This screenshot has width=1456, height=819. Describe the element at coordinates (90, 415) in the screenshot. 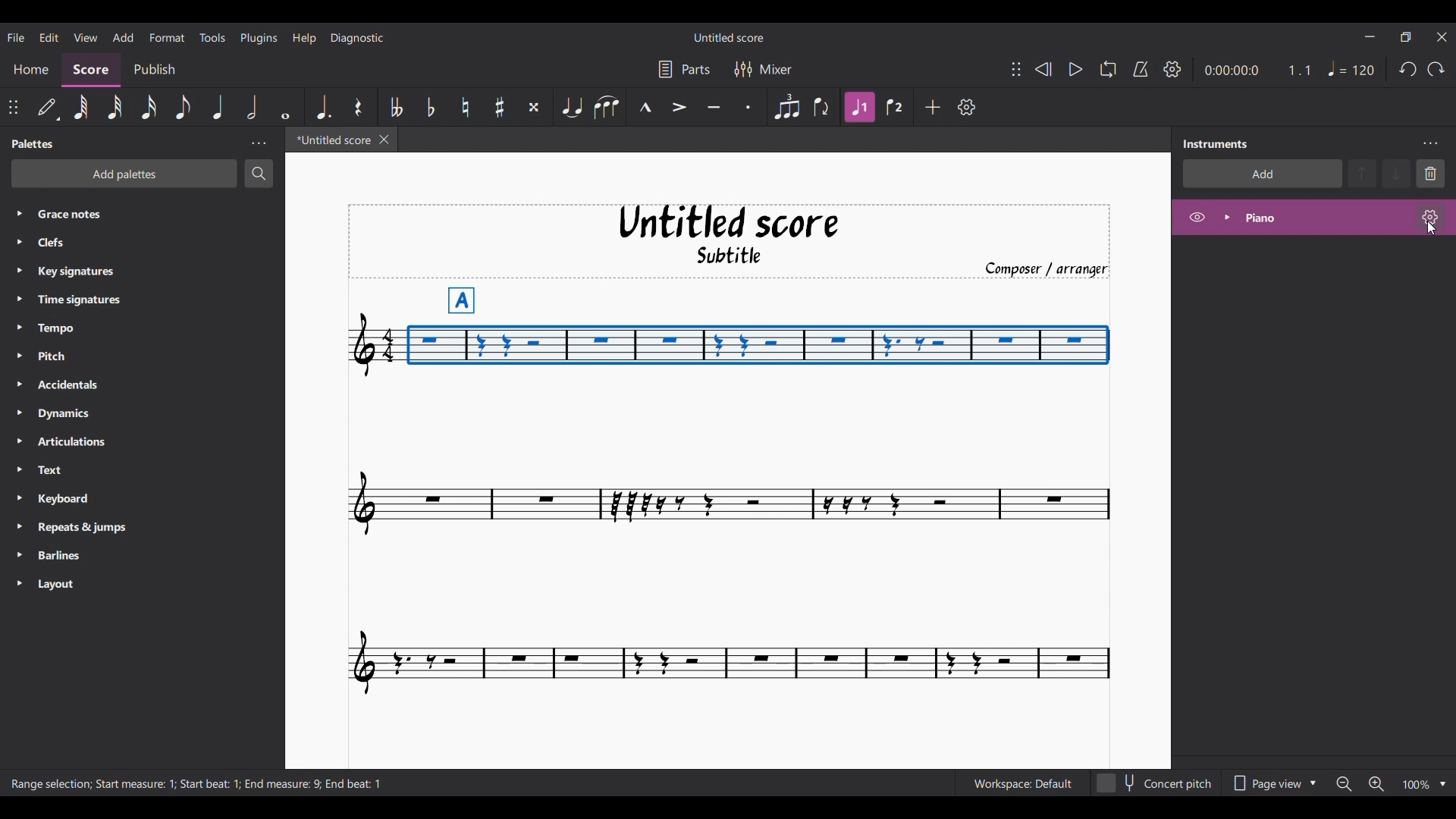

I see `Dynamics` at that location.